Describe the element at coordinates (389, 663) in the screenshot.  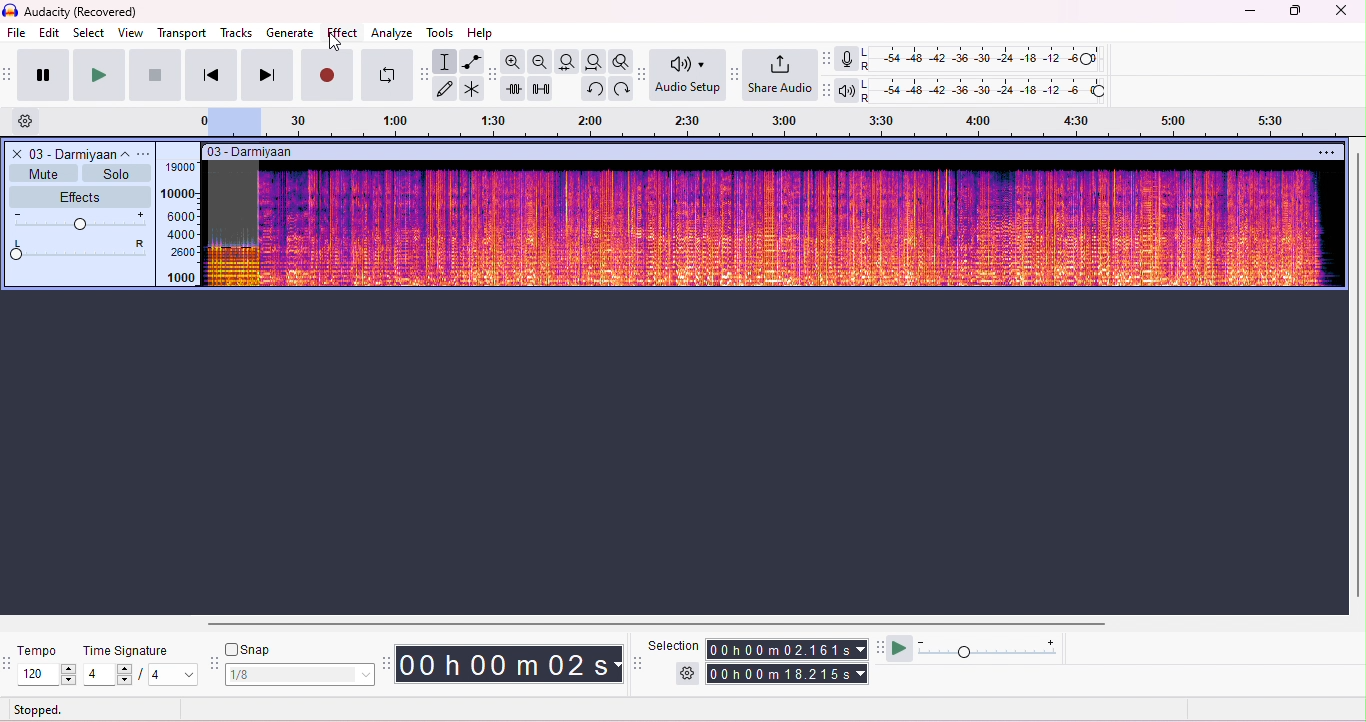
I see `time tool bar` at that location.